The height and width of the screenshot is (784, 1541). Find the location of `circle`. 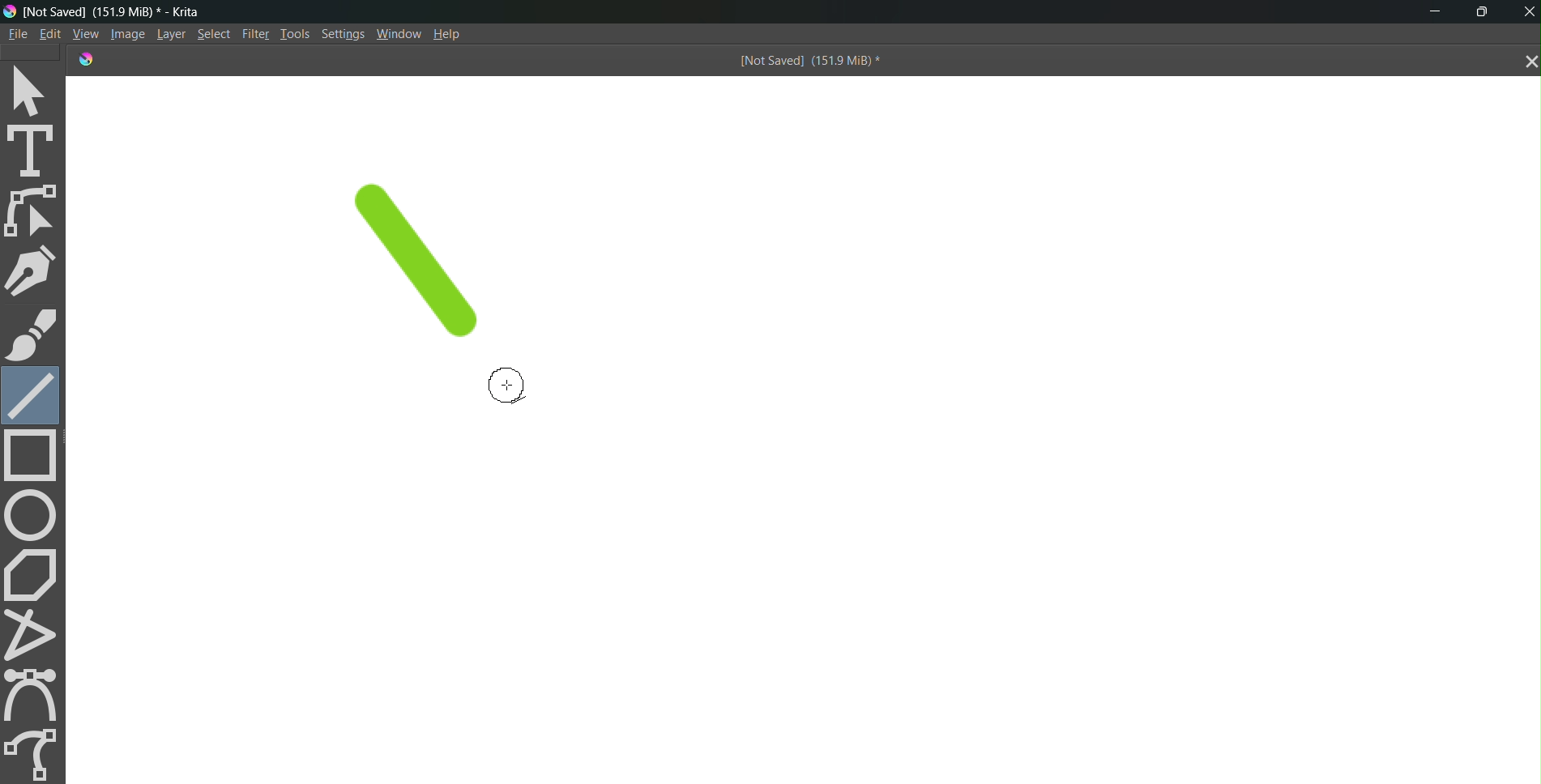

circle is located at coordinates (32, 514).